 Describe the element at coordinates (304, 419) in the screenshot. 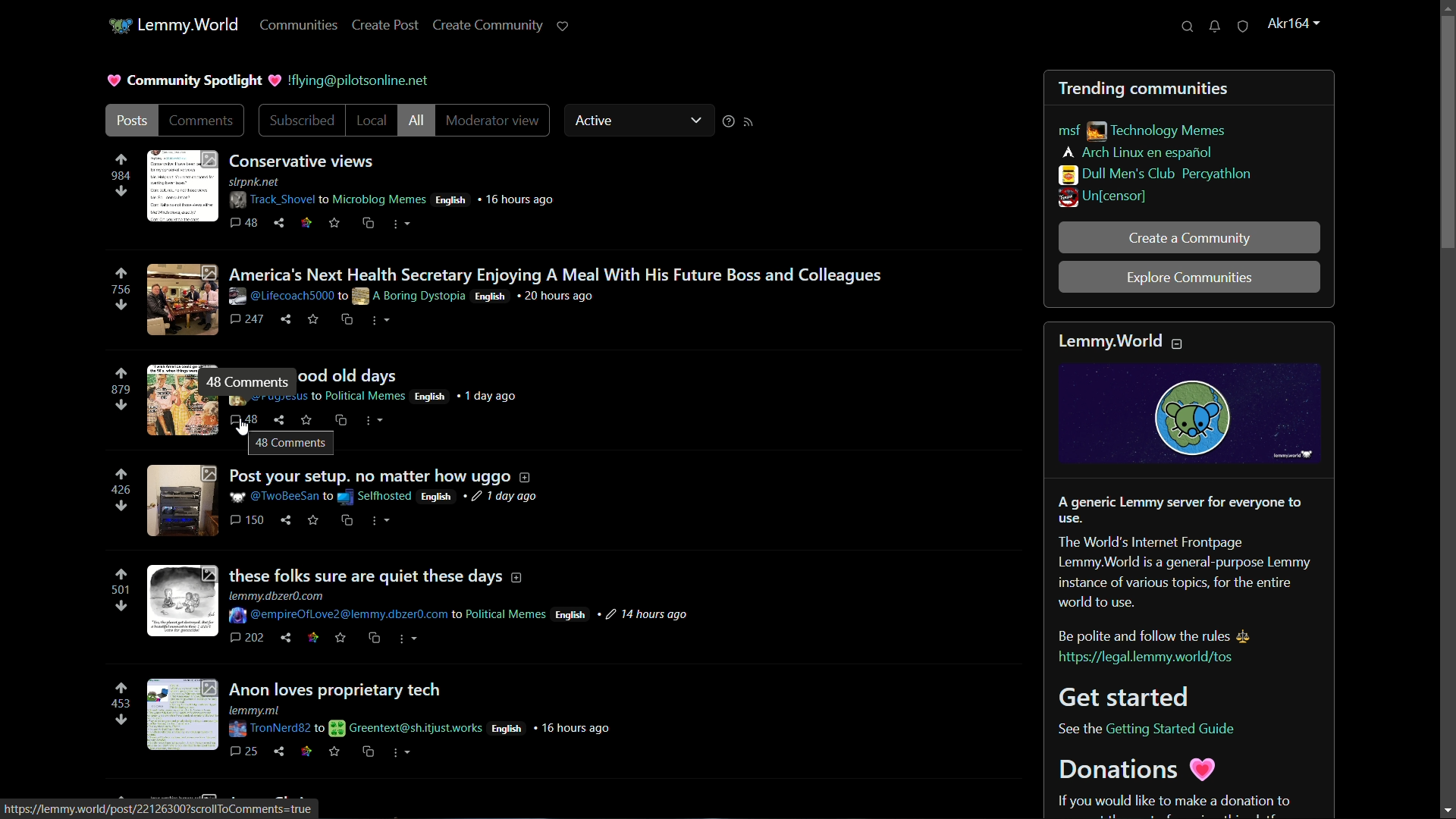

I see `save` at that location.